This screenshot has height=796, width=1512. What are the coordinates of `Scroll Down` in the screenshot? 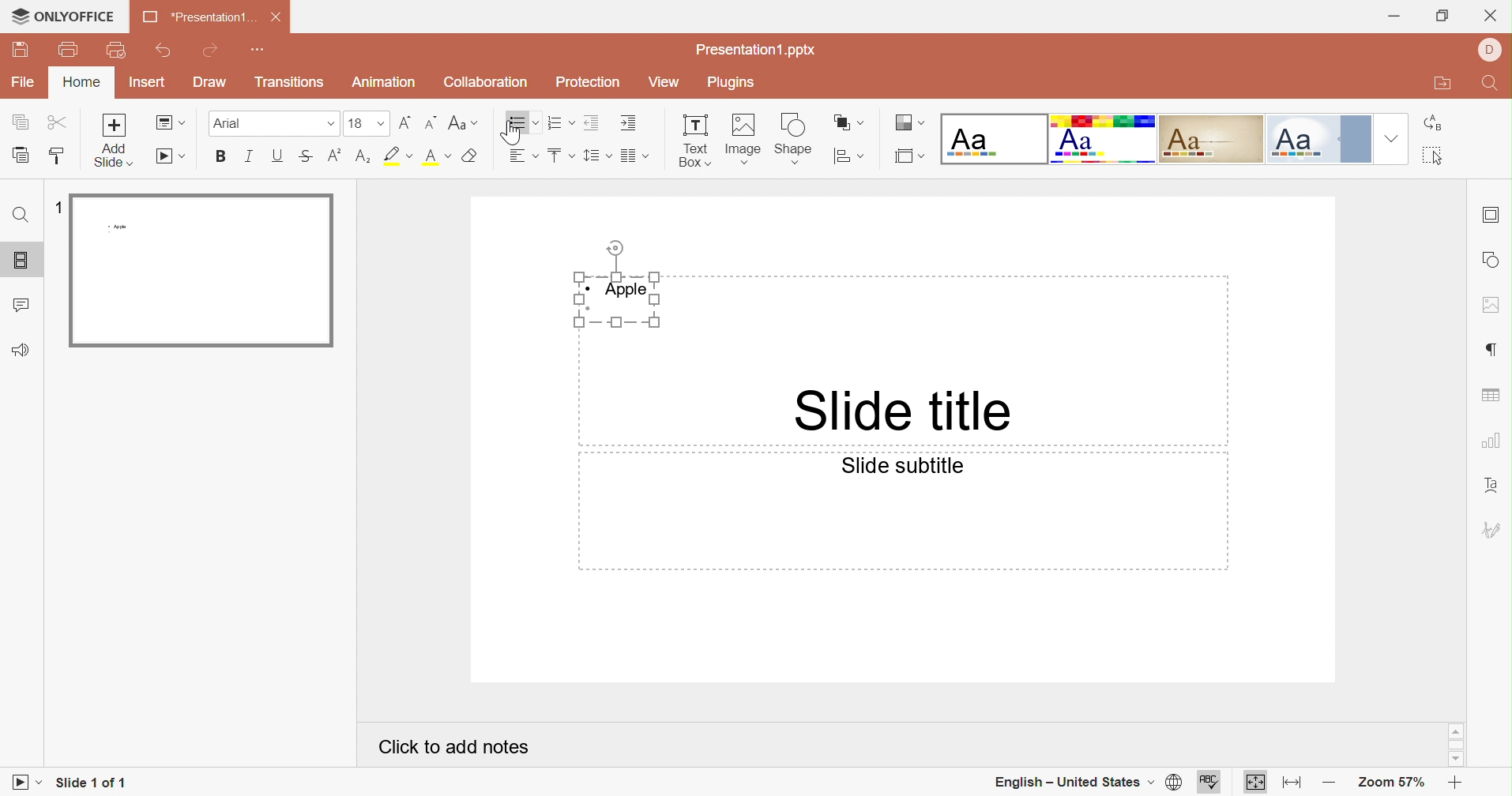 It's located at (1460, 760).